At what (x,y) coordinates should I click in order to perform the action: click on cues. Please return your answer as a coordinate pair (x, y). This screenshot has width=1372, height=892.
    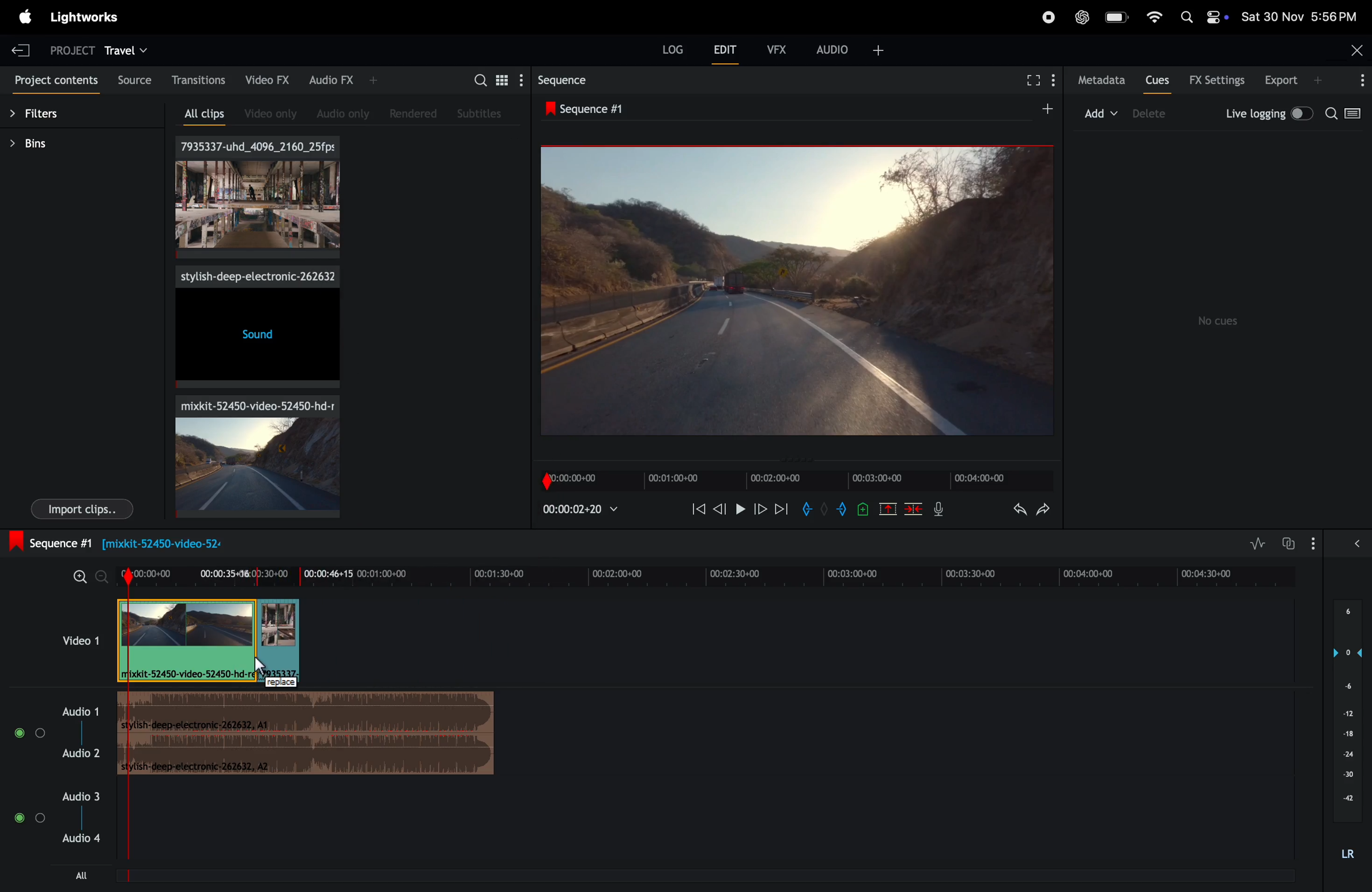
    Looking at the image, I should click on (1157, 82).